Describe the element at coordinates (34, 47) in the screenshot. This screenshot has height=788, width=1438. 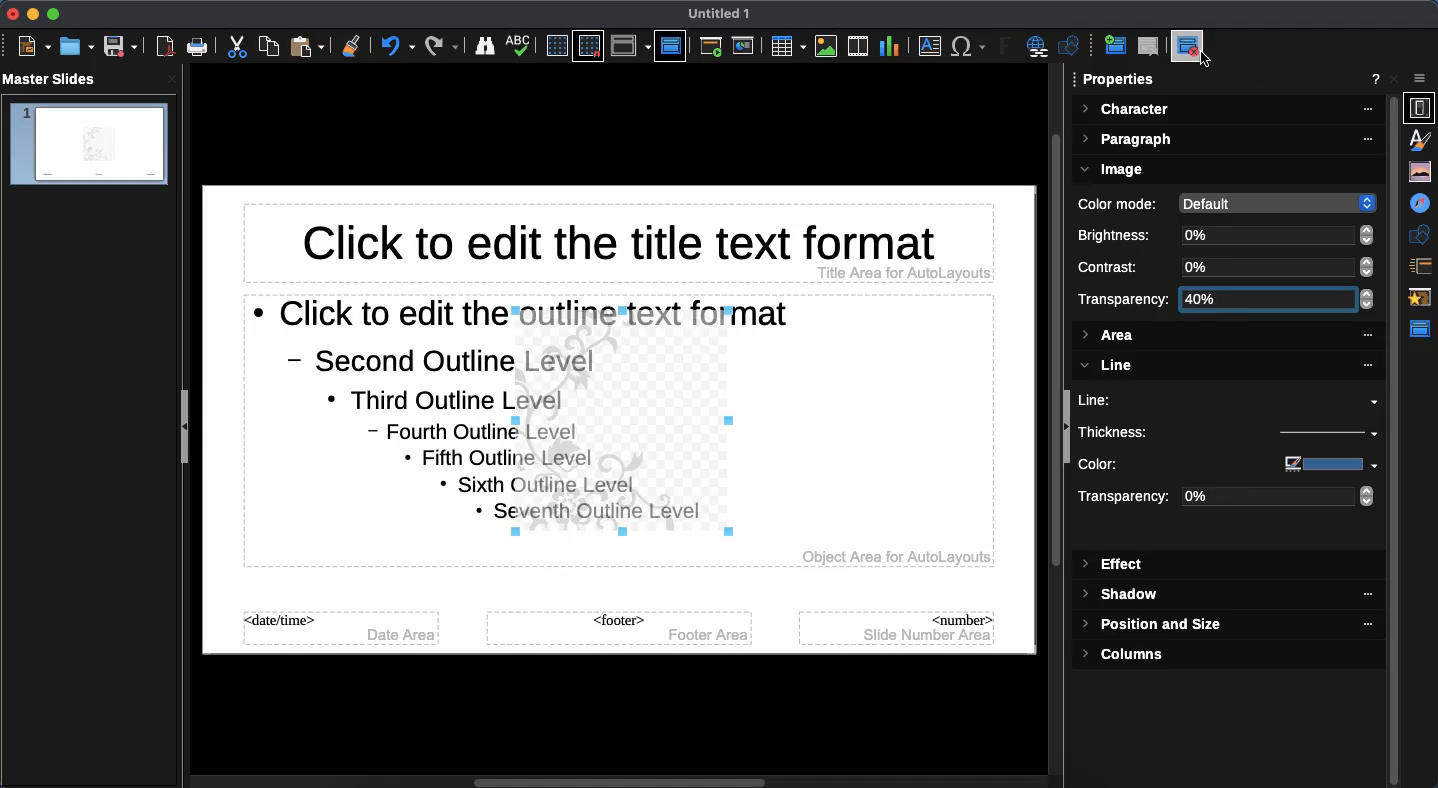
I see `New` at that location.